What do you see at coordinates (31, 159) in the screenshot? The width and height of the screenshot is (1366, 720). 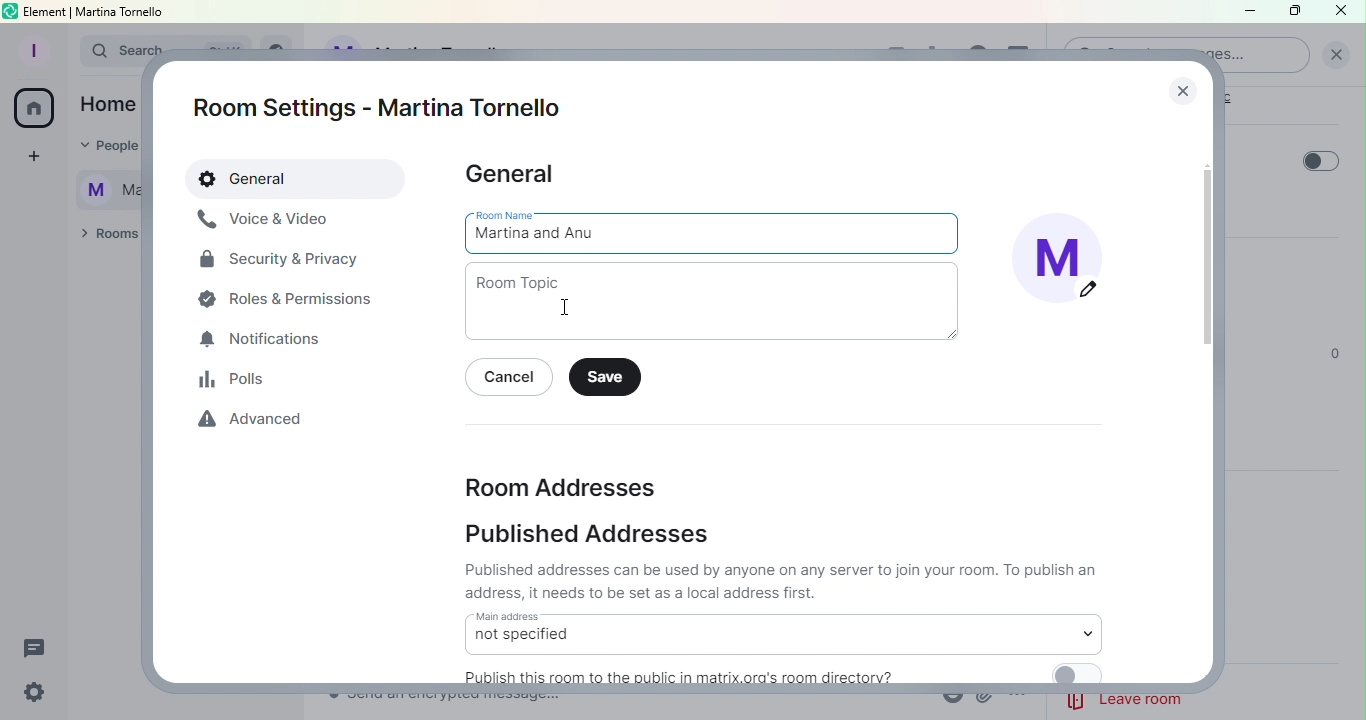 I see `Create a space` at bounding box center [31, 159].